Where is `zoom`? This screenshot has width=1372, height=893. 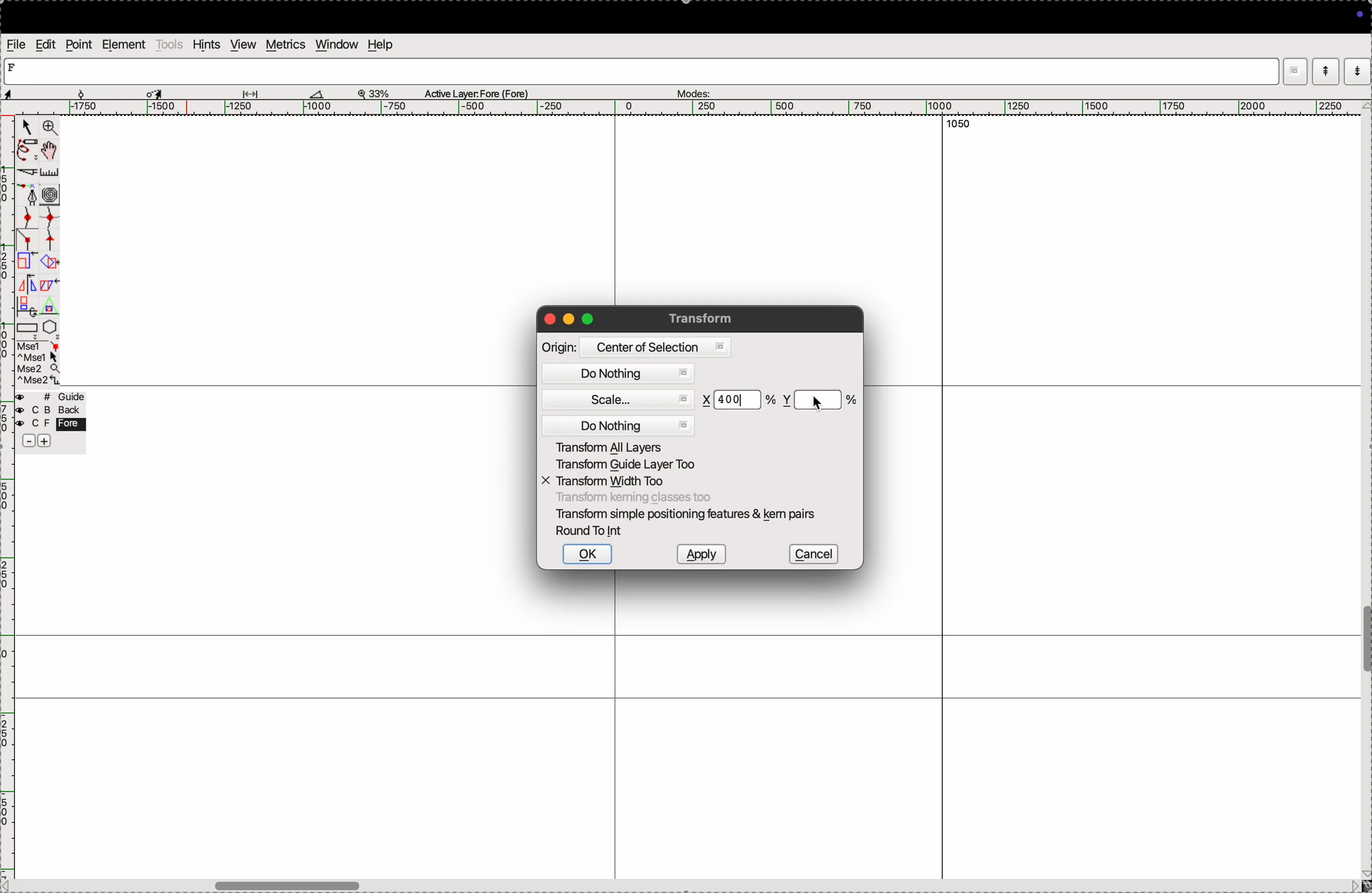
zoom is located at coordinates (50, 129).